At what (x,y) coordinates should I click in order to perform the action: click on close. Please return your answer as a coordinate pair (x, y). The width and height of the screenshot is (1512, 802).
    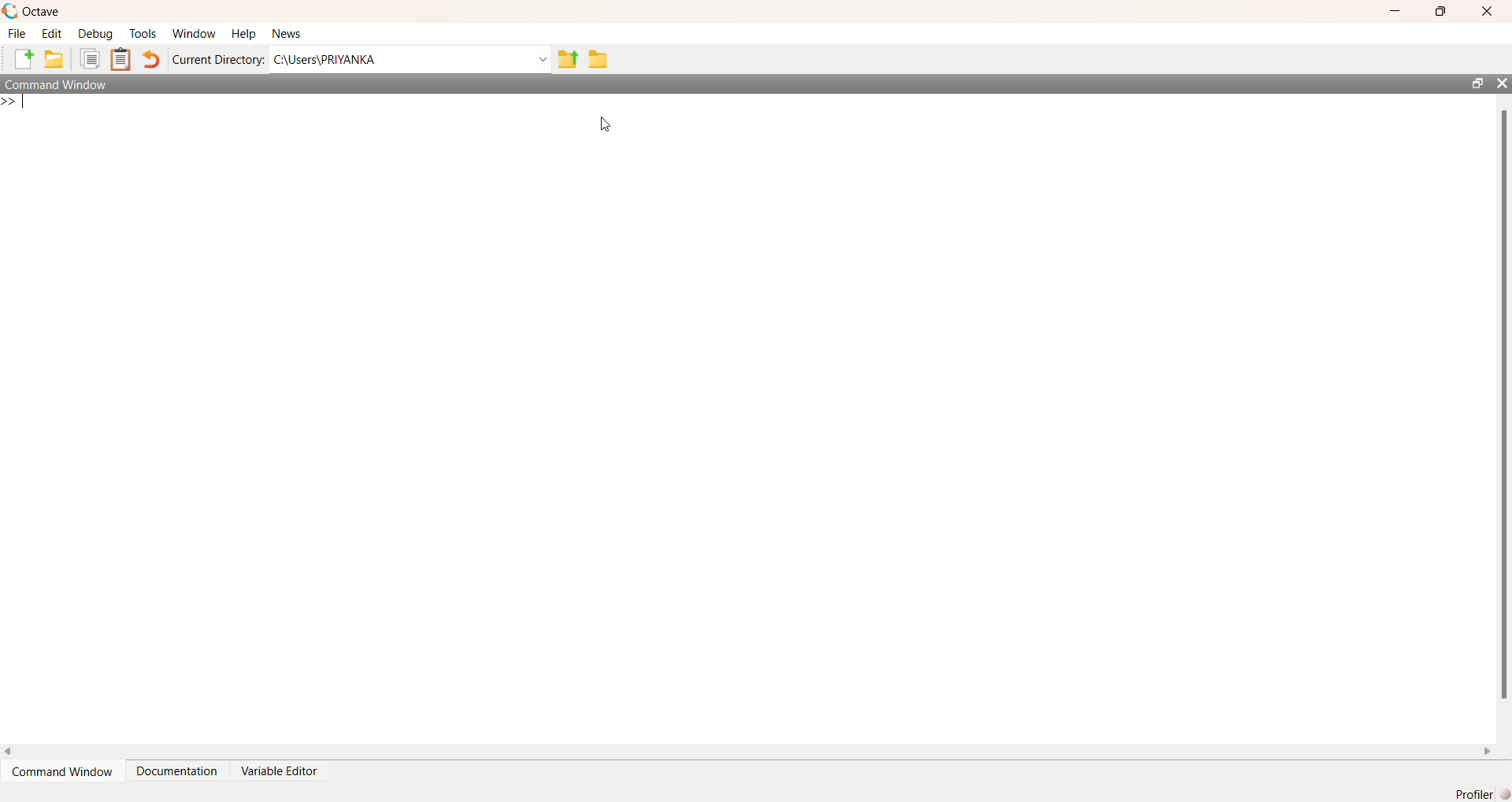
    Looking at the image, I should click on (1488, 11).